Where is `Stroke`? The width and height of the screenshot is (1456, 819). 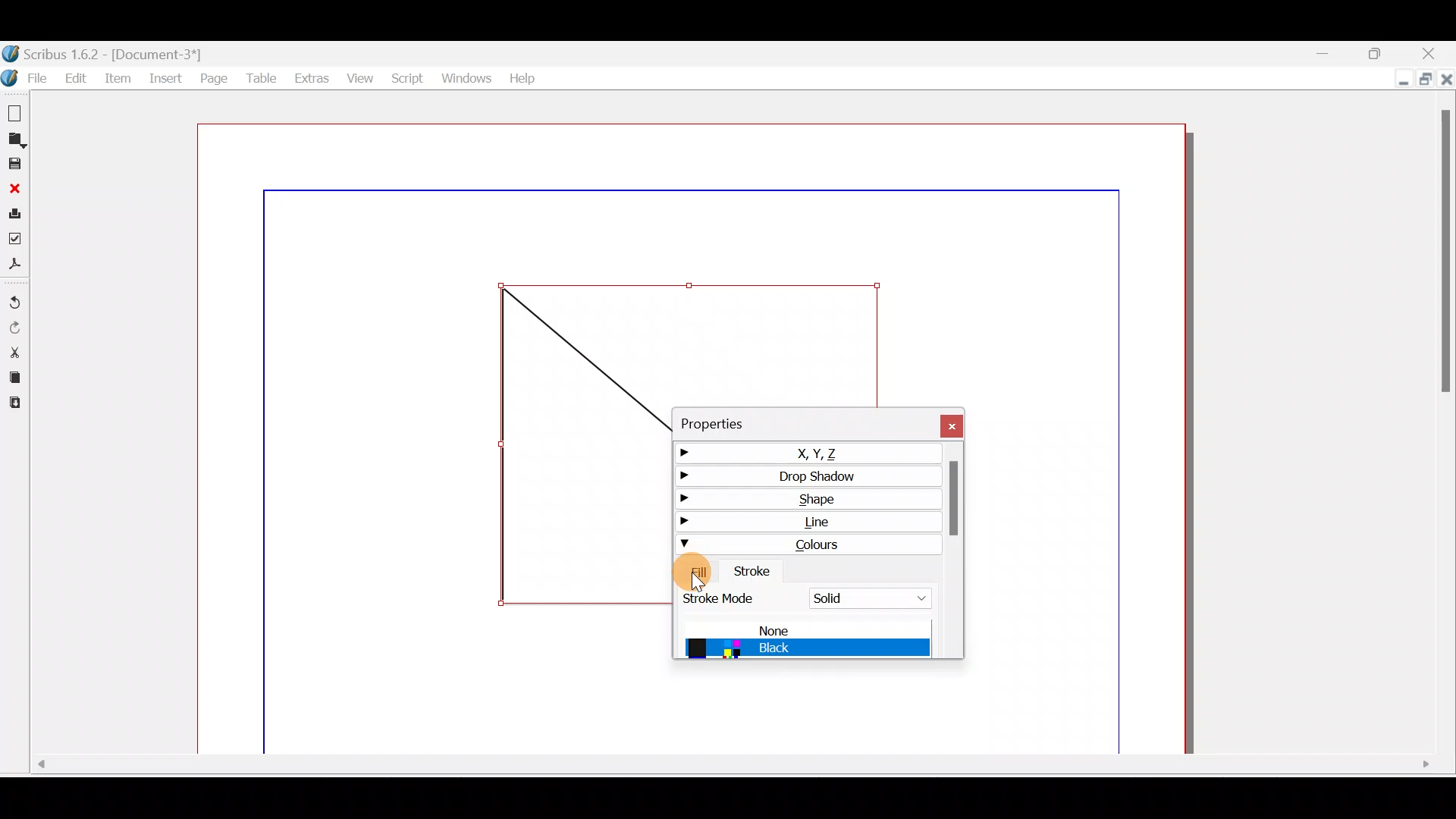 Stroke is located at coordinates (755, 570).